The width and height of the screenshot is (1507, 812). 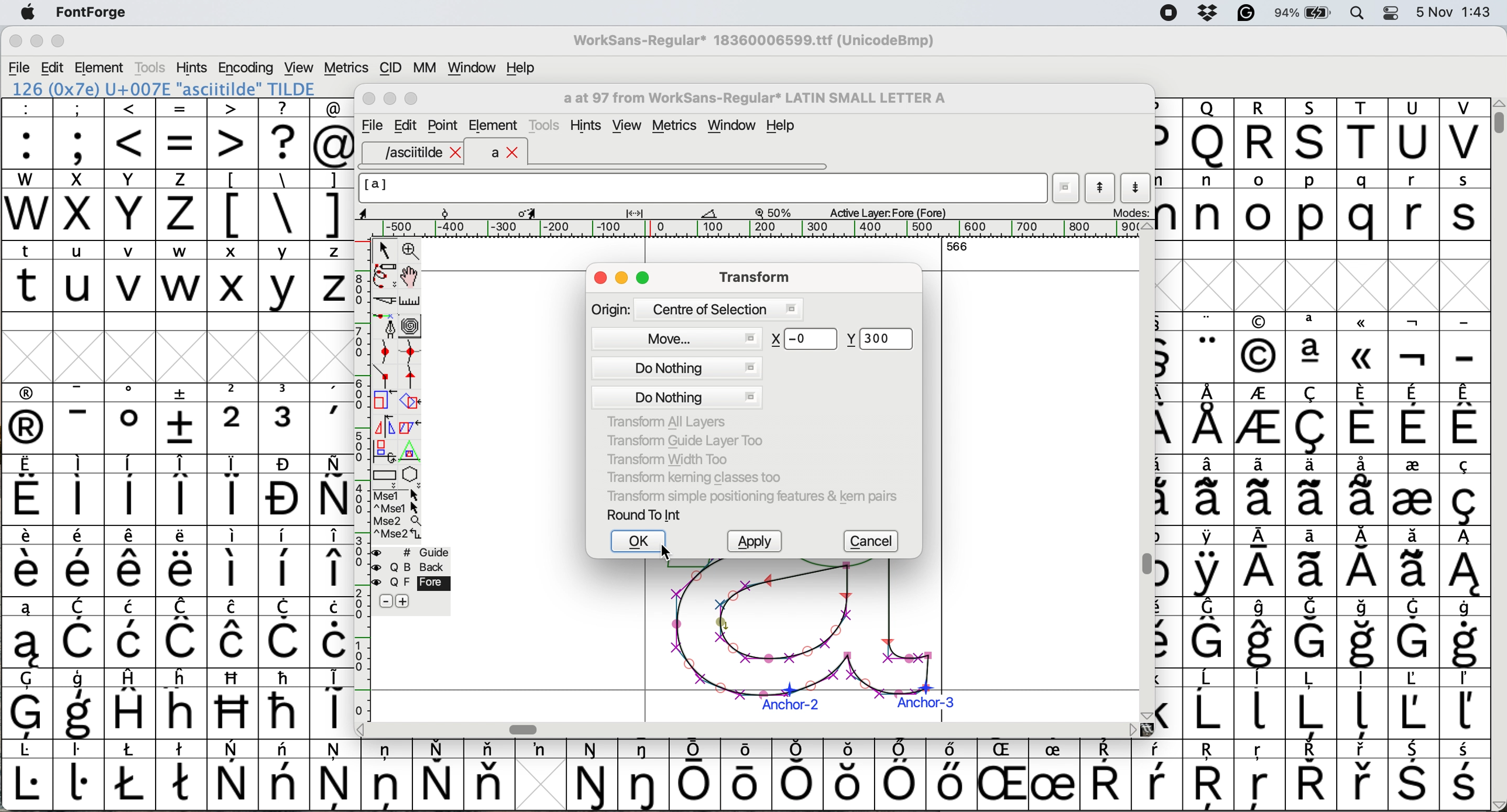 I want to click on rotate the selection, so click(x=416, y=402).